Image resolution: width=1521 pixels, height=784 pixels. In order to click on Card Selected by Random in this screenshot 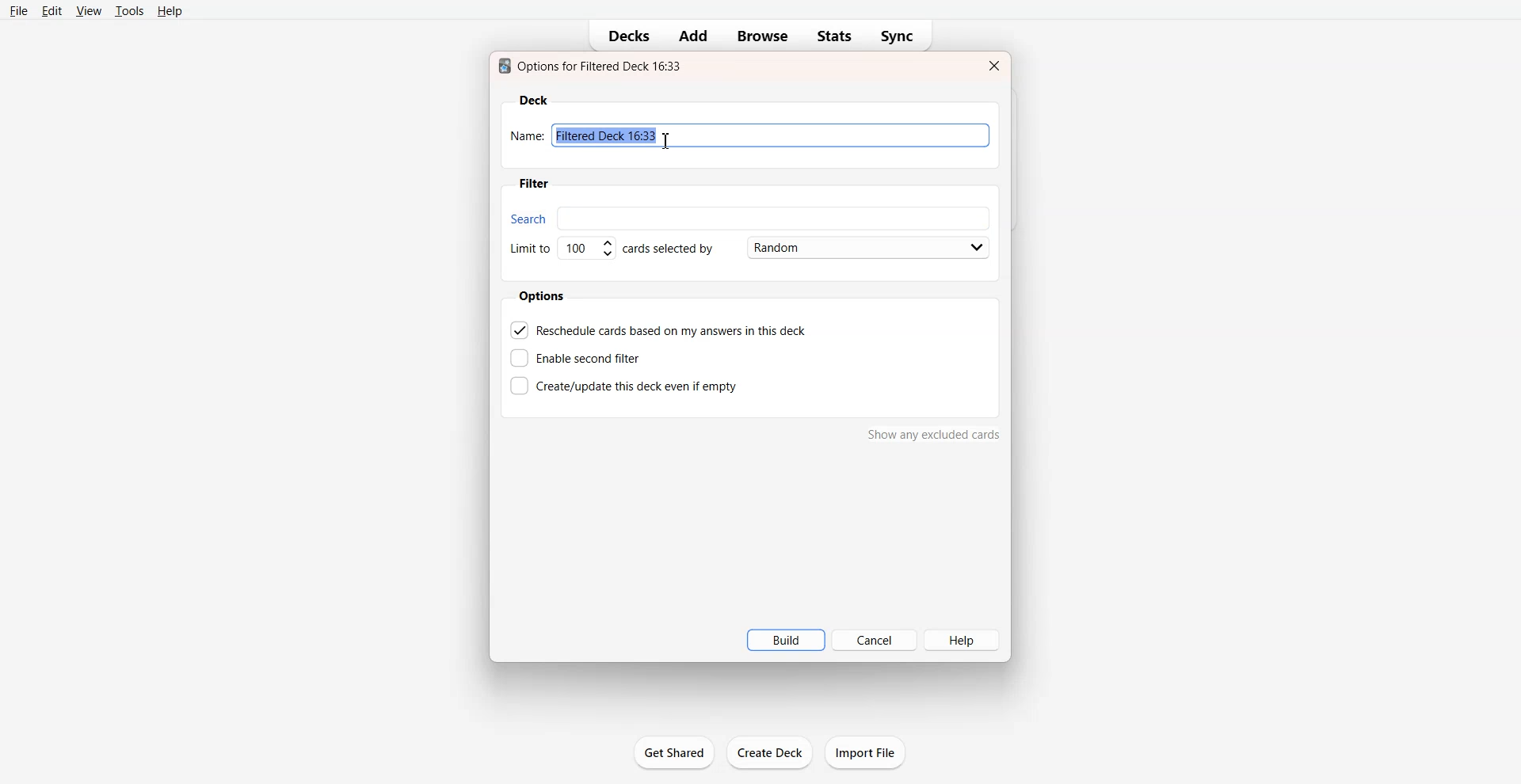, I will do `click(810, 247)`.